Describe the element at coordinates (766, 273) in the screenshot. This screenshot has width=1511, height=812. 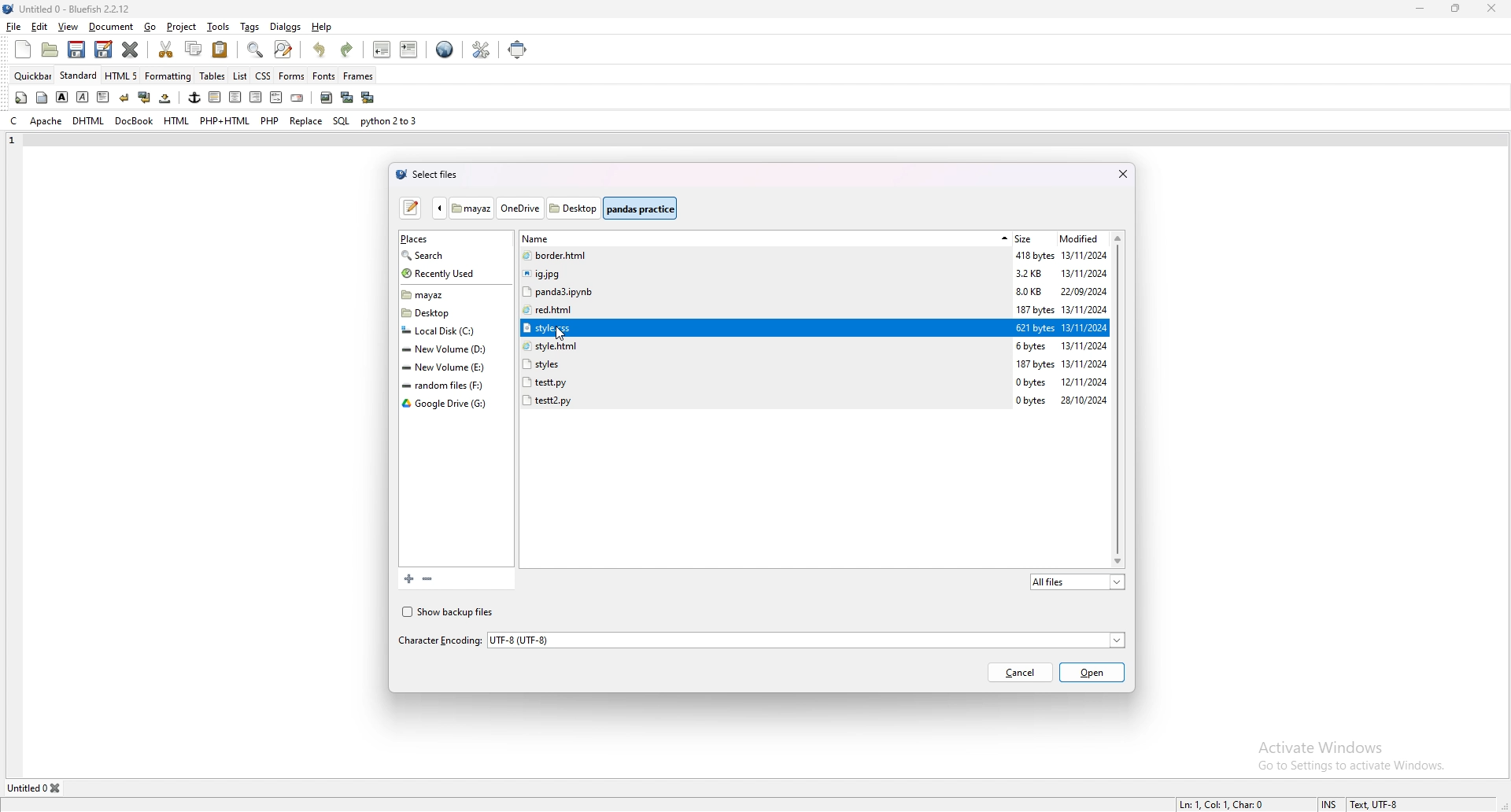
I see `file` at that location.